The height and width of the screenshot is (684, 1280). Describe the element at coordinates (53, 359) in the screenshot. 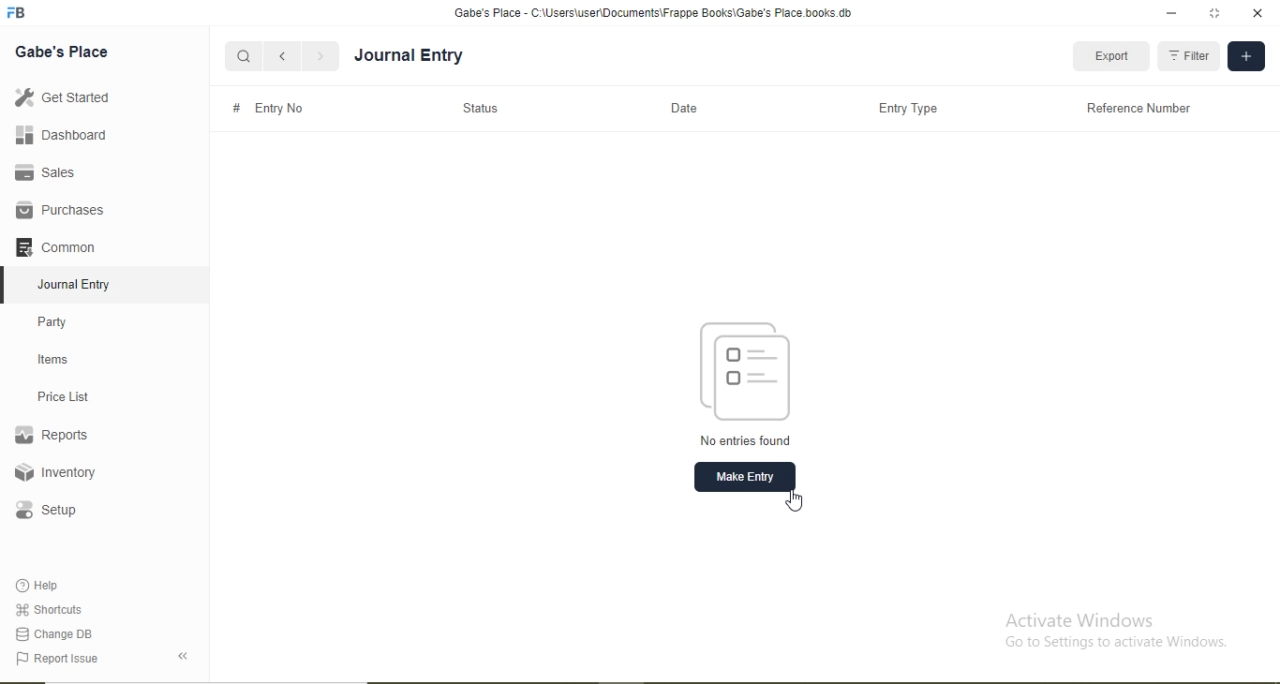

I see `Items` at that location.